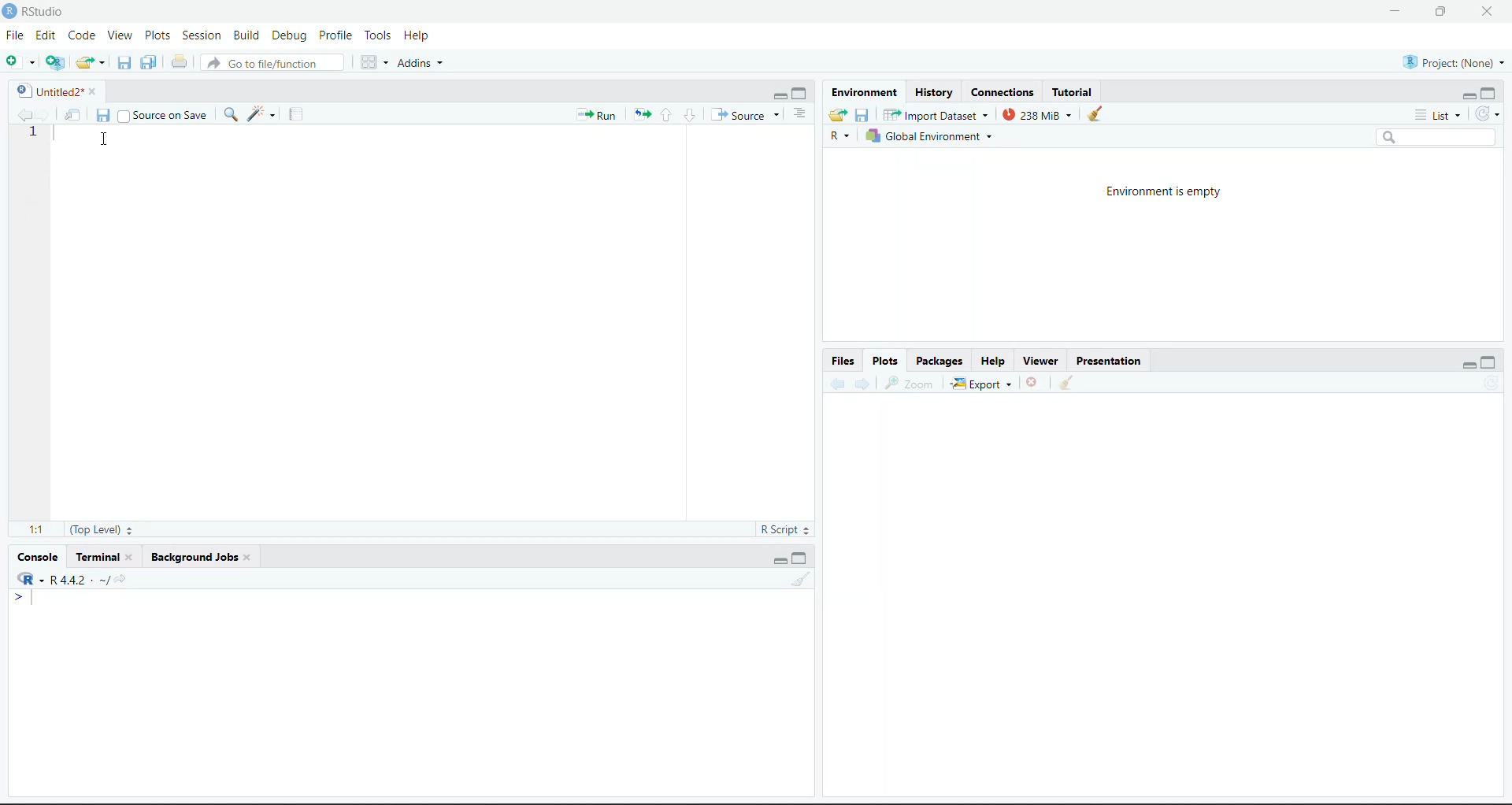 The image size is (1512, 805). I want to click on new project , so click(55, 62).